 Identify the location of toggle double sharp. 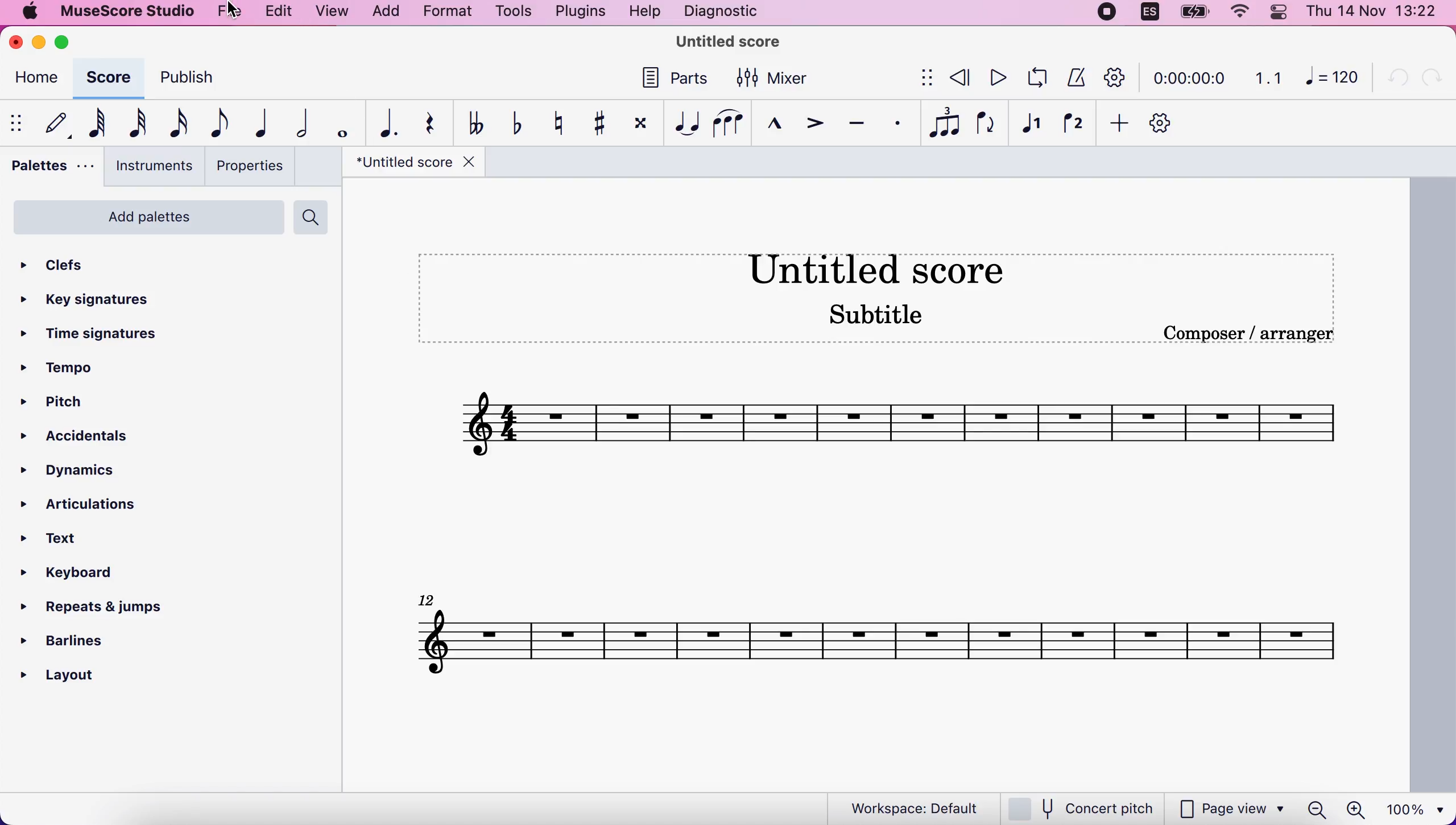
(638, 124).